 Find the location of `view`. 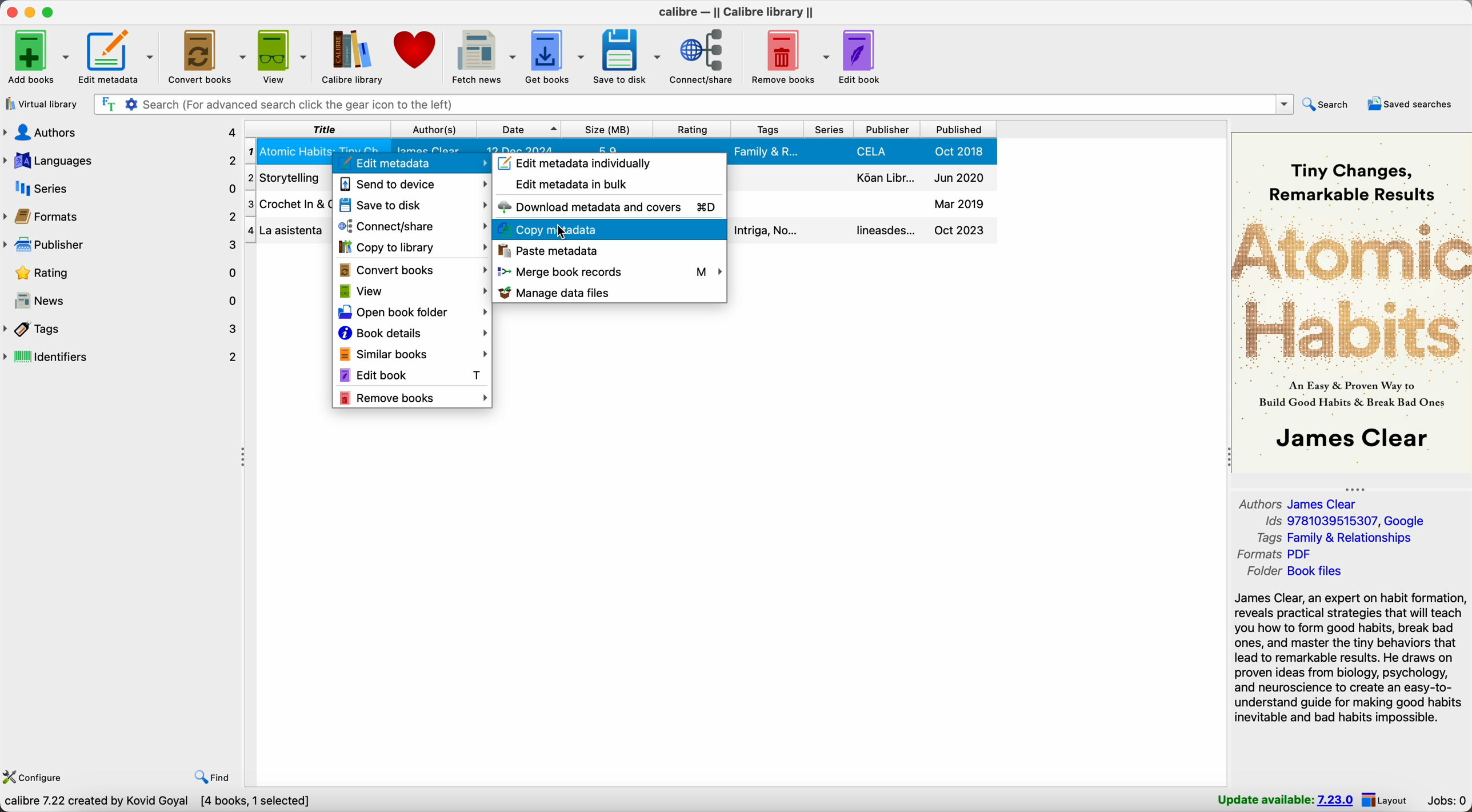

view is located at coordinates (411, 291).